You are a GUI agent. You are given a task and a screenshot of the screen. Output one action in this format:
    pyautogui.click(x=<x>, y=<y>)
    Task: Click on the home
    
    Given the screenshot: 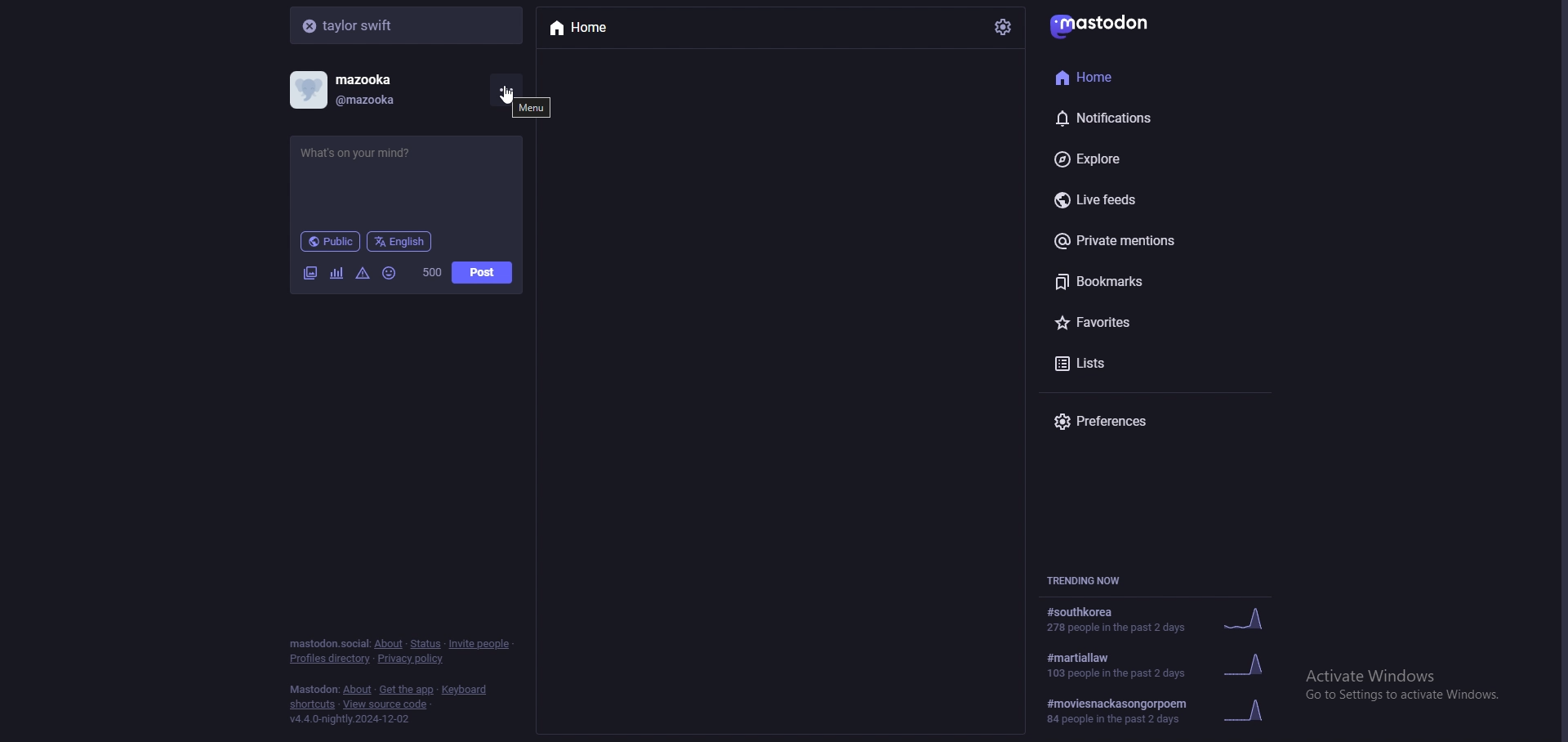 What is the action you would take?
    pyautogui.click(x=1129, y=77)
    